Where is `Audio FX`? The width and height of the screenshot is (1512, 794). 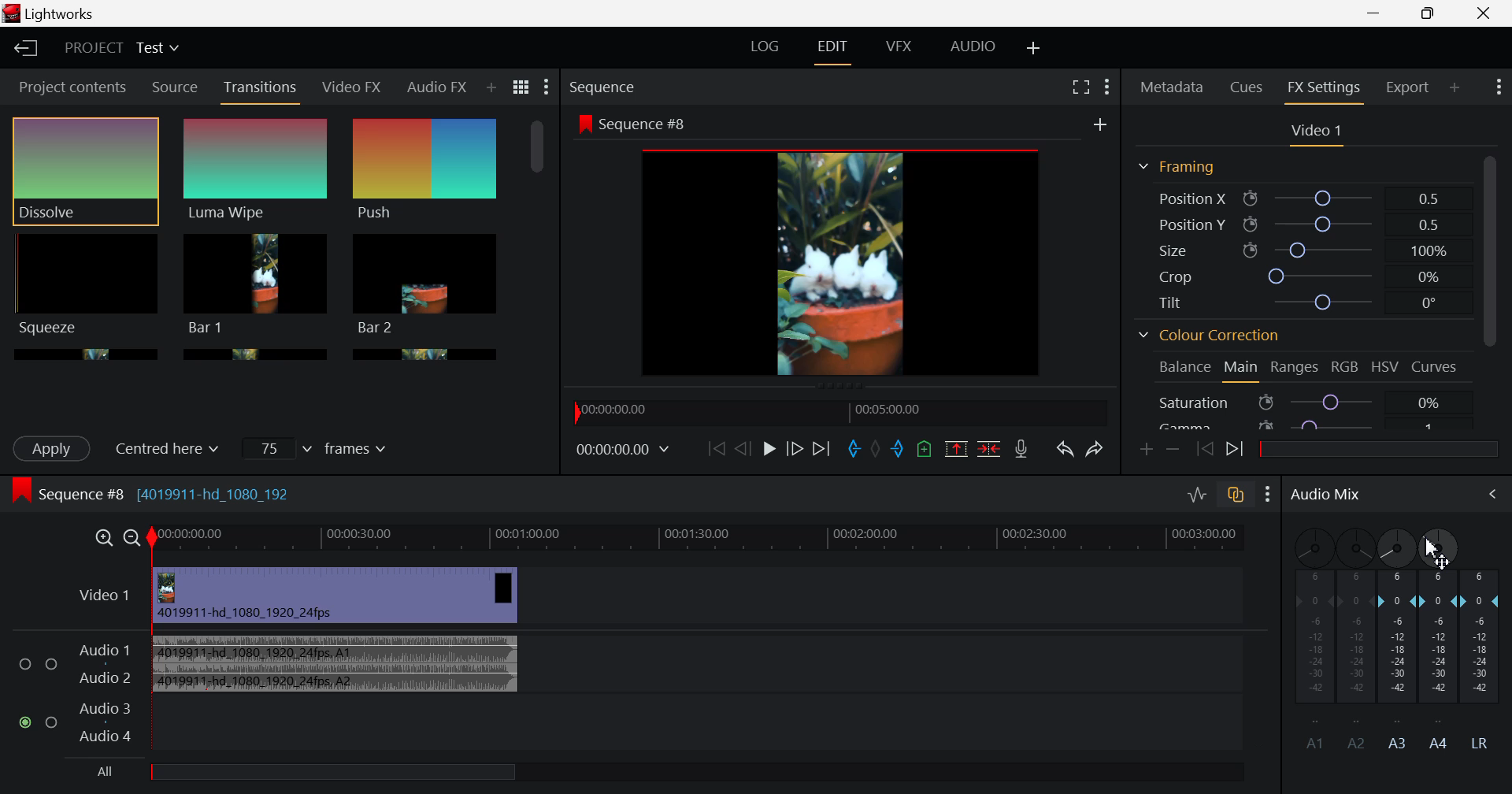
Audio FX is located at coordinates (435, 90).